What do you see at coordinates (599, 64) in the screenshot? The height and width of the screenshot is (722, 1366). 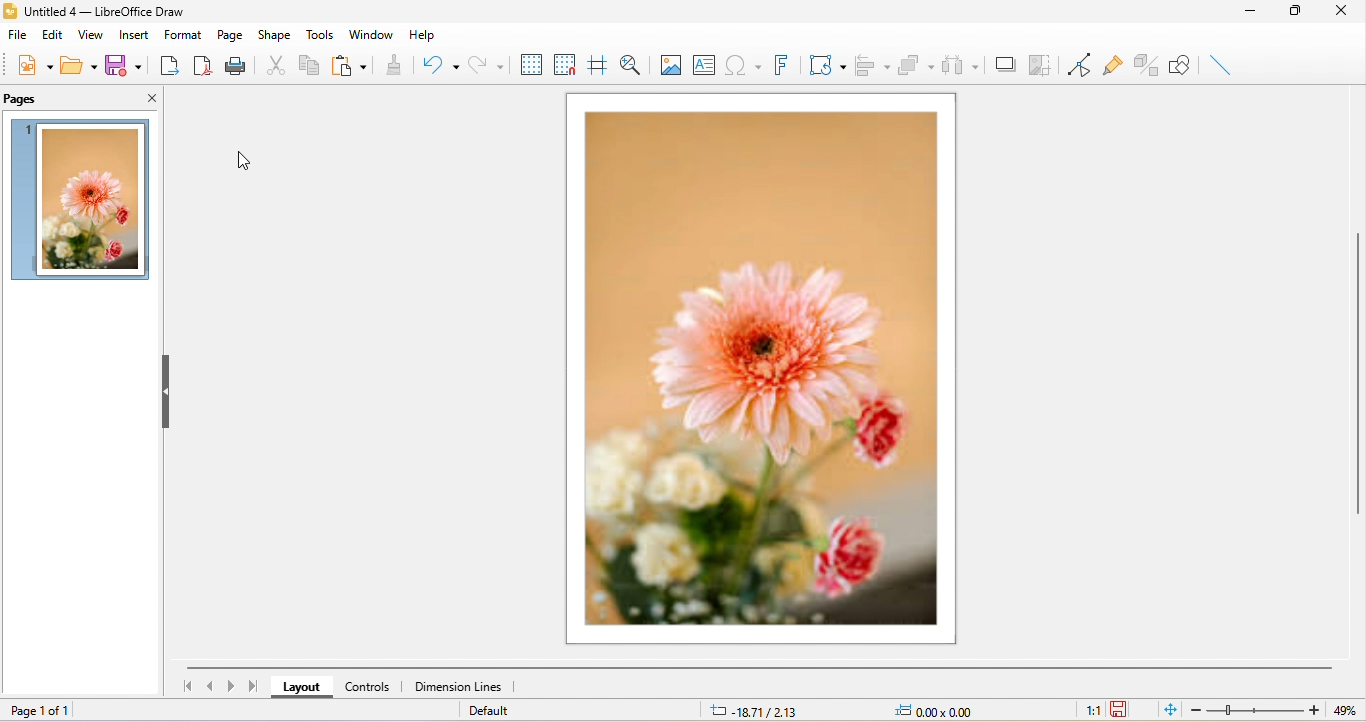 I see `helpline while moving` at bounding box center [599, 64].